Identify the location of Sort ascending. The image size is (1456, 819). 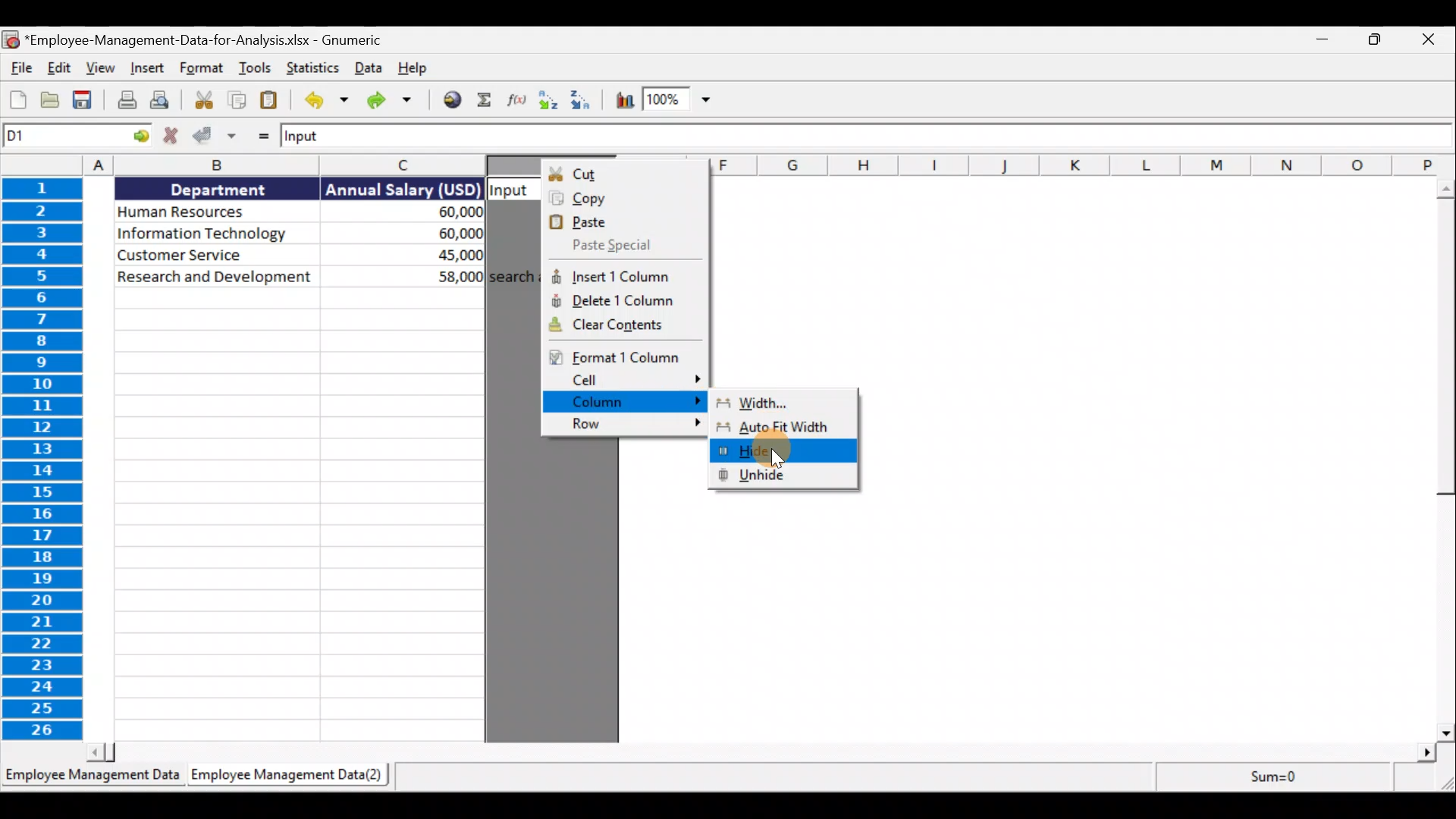
(545, 102).